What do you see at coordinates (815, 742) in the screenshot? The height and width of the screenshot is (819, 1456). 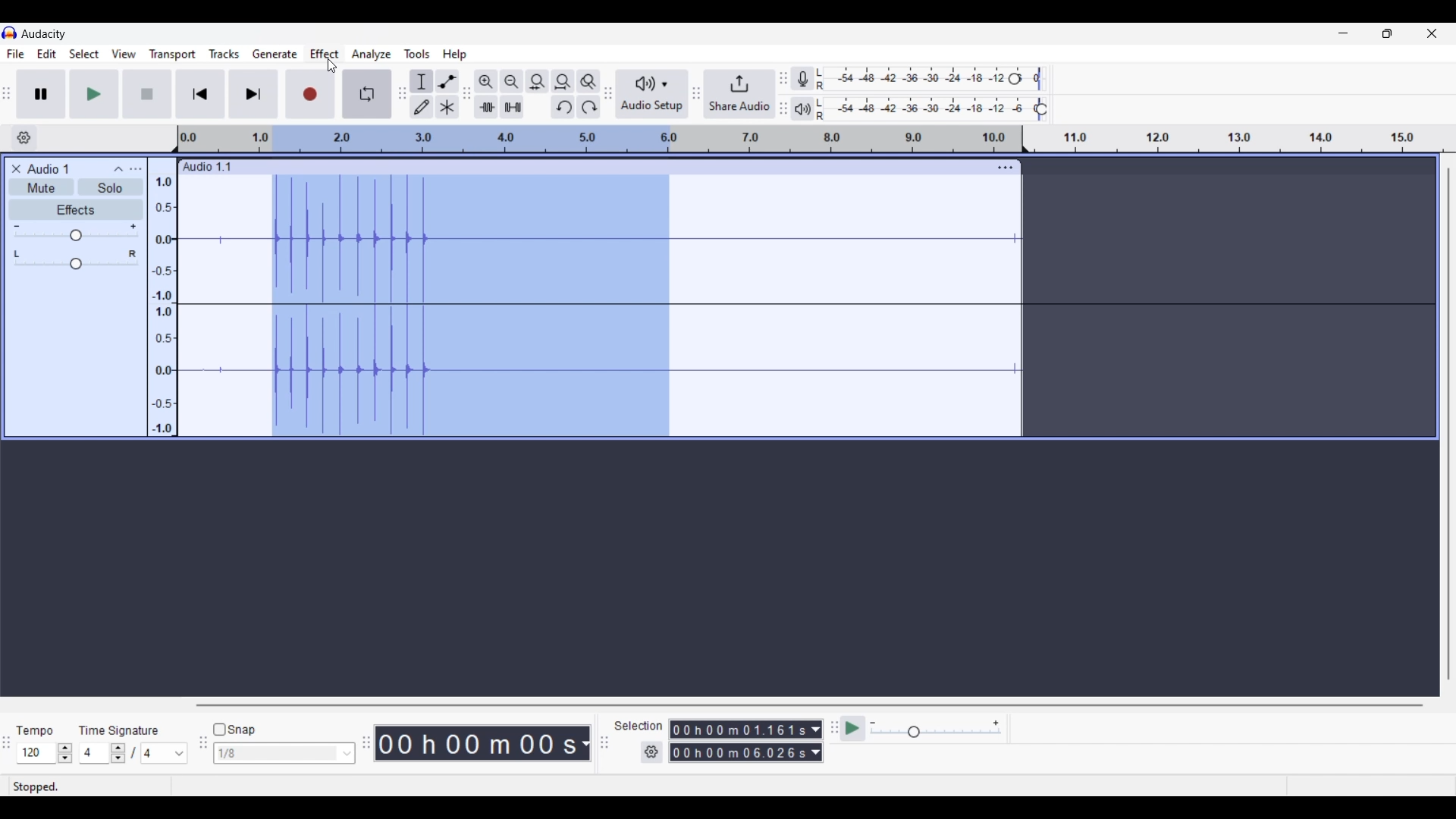 I see `Measurement options of selection duration` at bounding box center [815, 742].